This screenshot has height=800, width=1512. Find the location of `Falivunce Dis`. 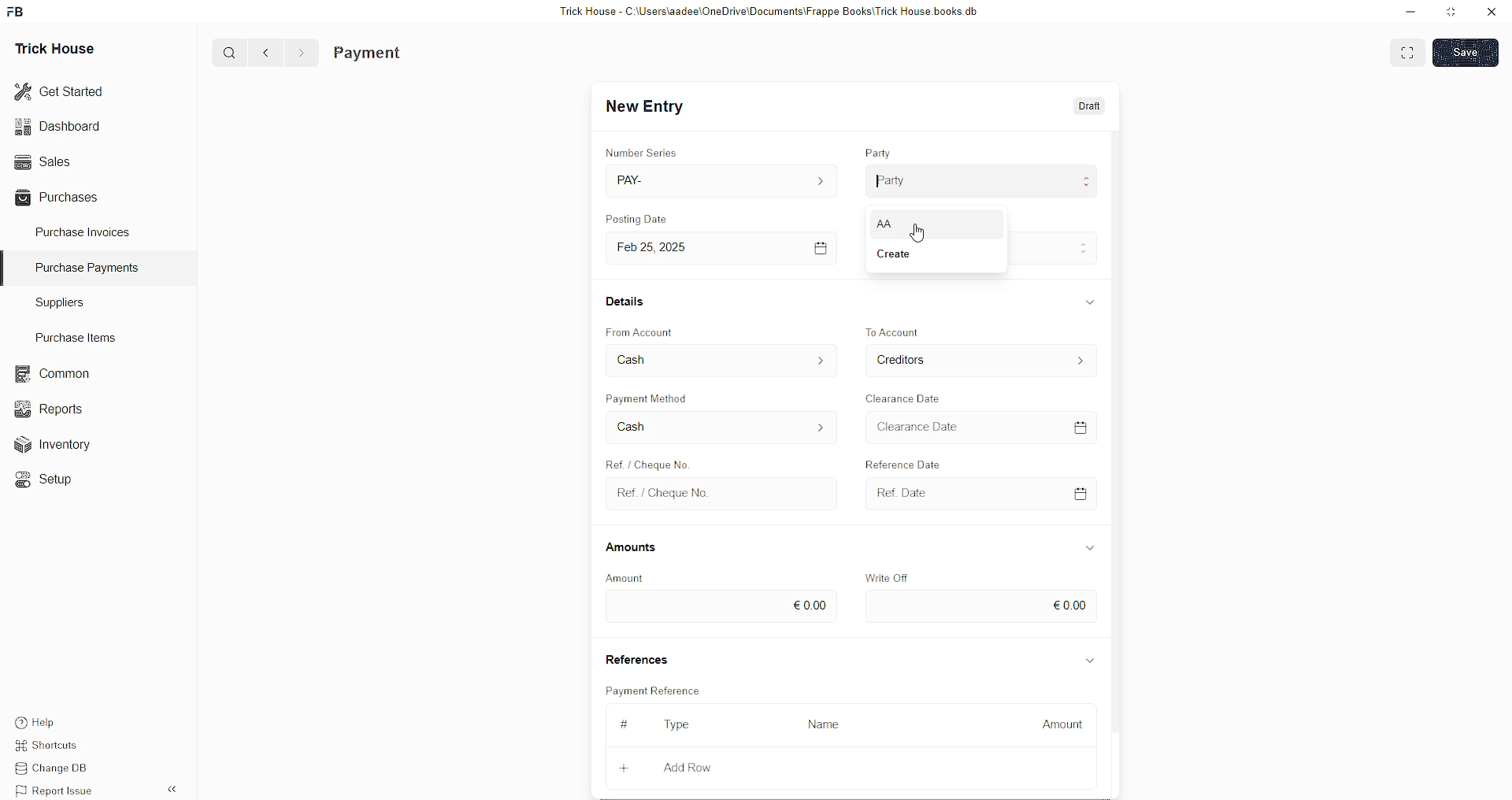

Falivunce Dis is located at coordinates (914, 461).